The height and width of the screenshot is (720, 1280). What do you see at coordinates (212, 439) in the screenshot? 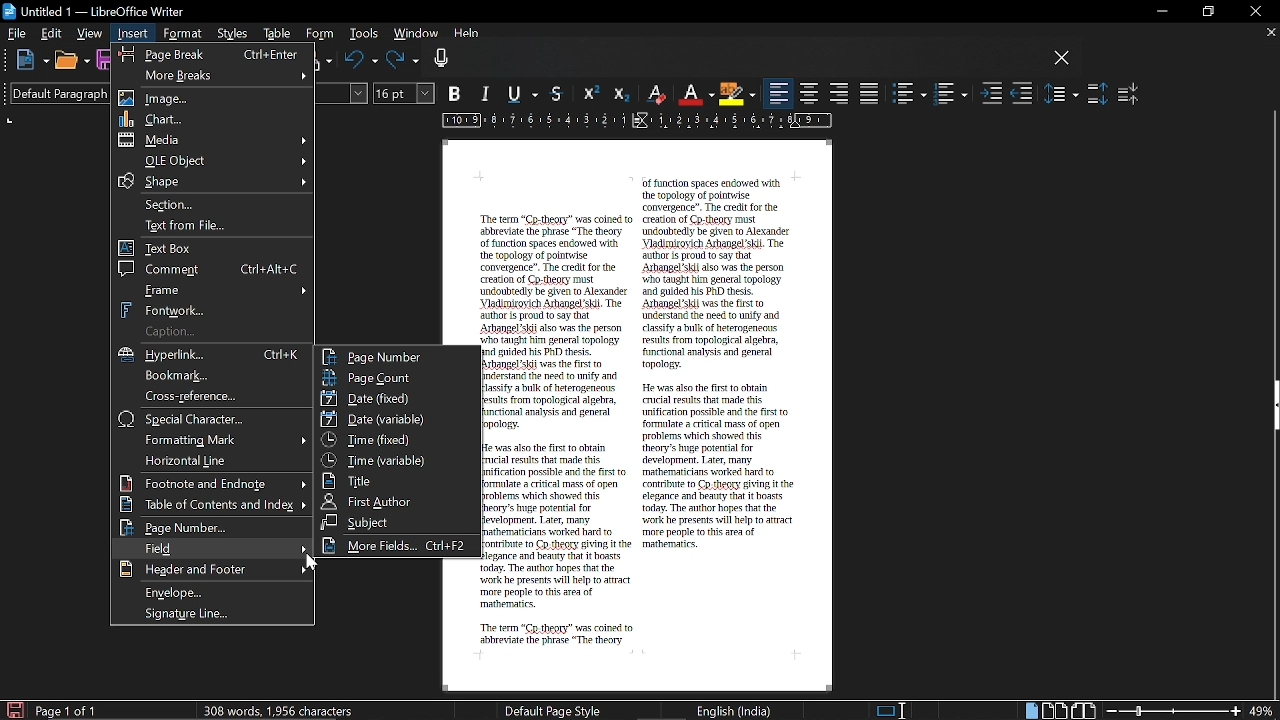
I see `Formatting mark` at bounding box center [212, 439].